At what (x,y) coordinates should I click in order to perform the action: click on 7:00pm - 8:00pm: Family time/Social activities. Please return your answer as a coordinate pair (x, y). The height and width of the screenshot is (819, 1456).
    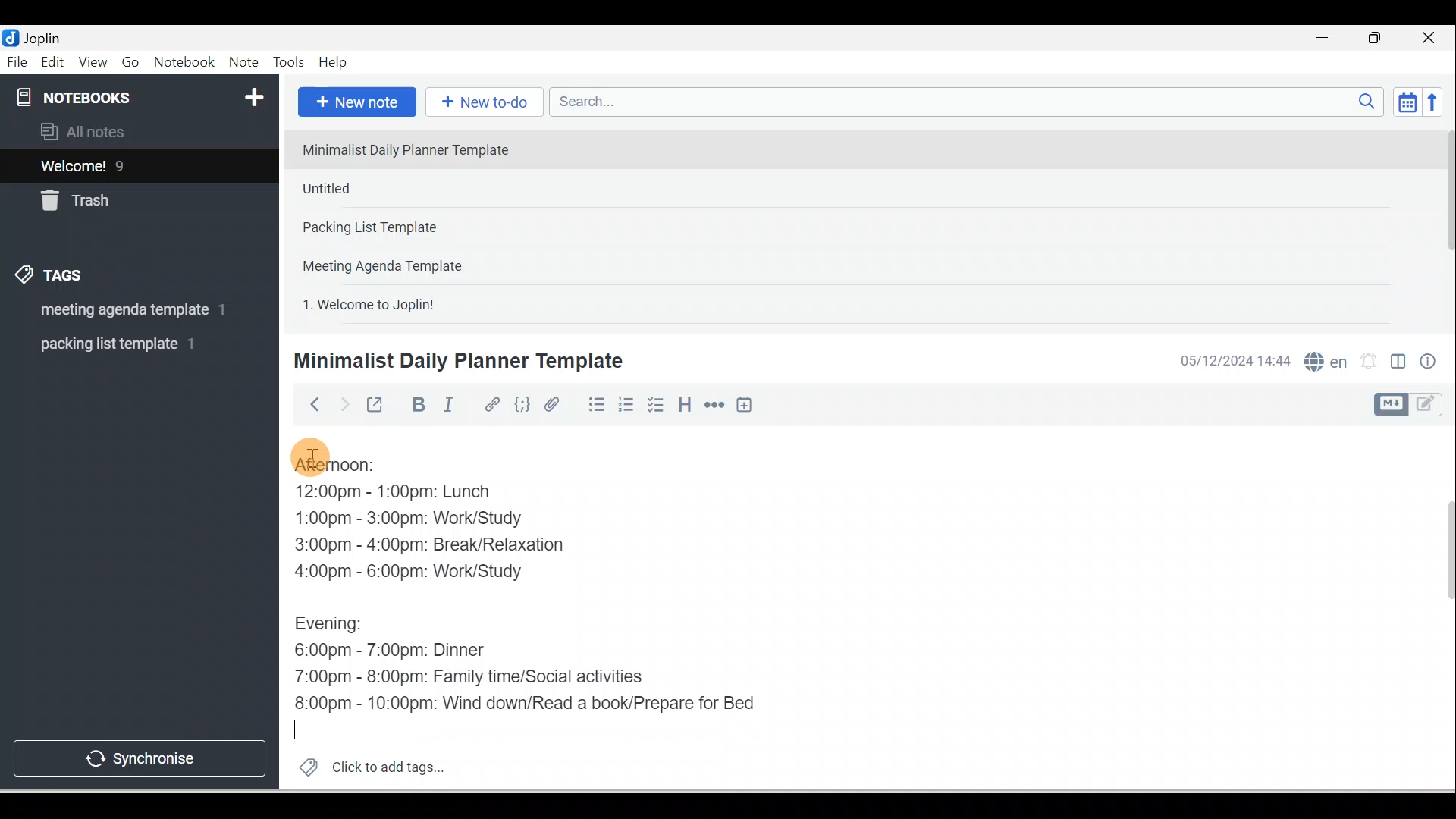
    Looking at the image, I should click on (480, 679).